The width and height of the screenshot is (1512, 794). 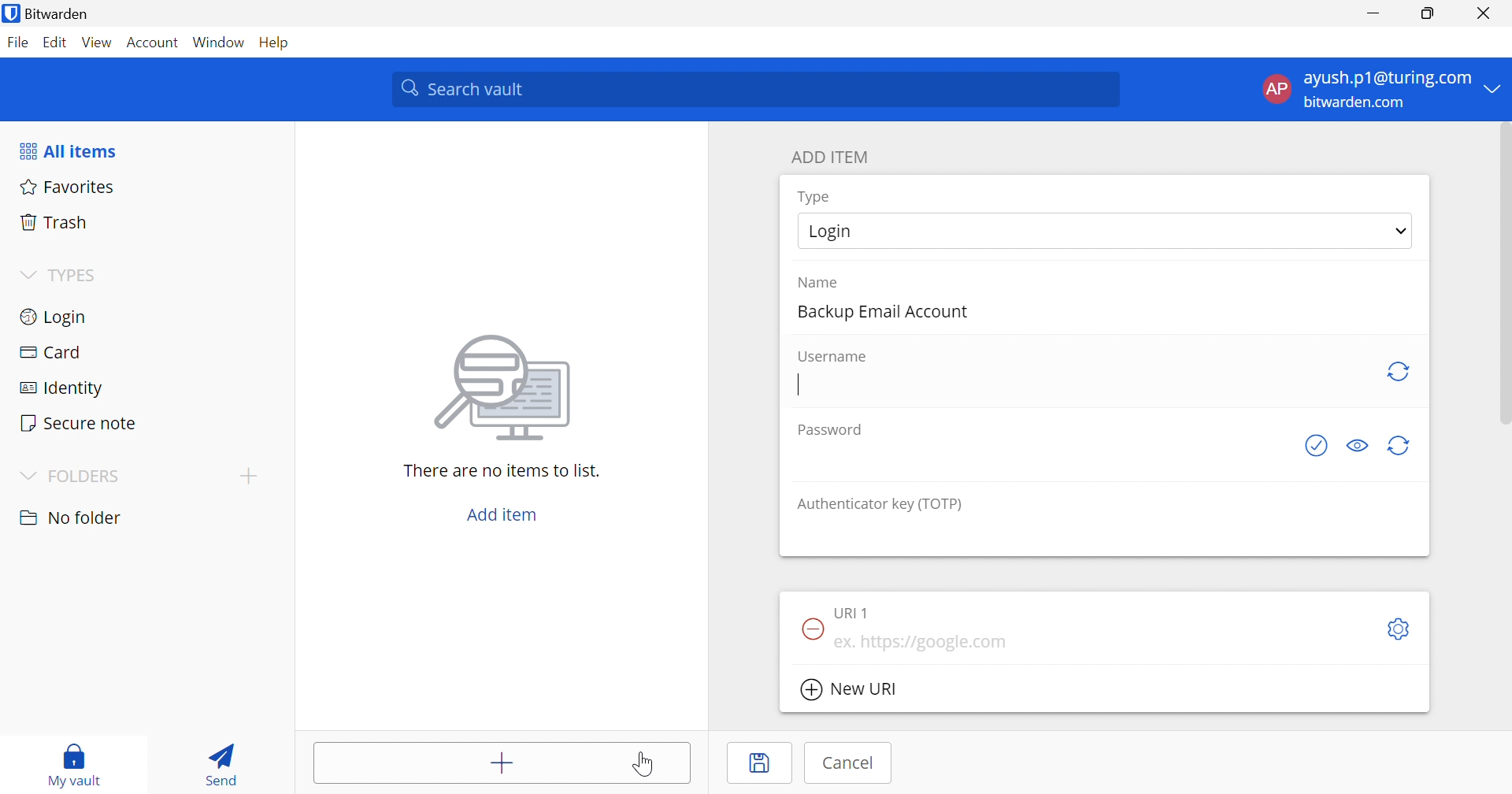 I want to click on URL 1, so click(x=853, y=613).